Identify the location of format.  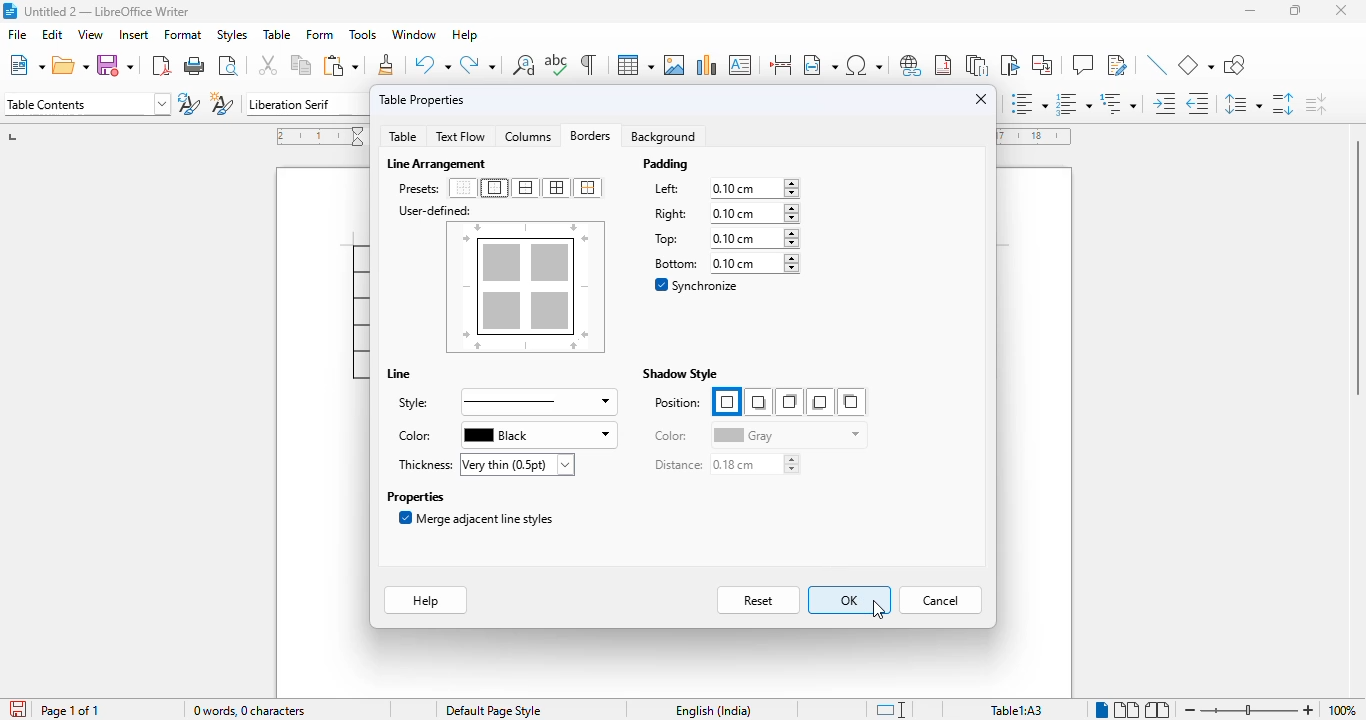
(184, 34).